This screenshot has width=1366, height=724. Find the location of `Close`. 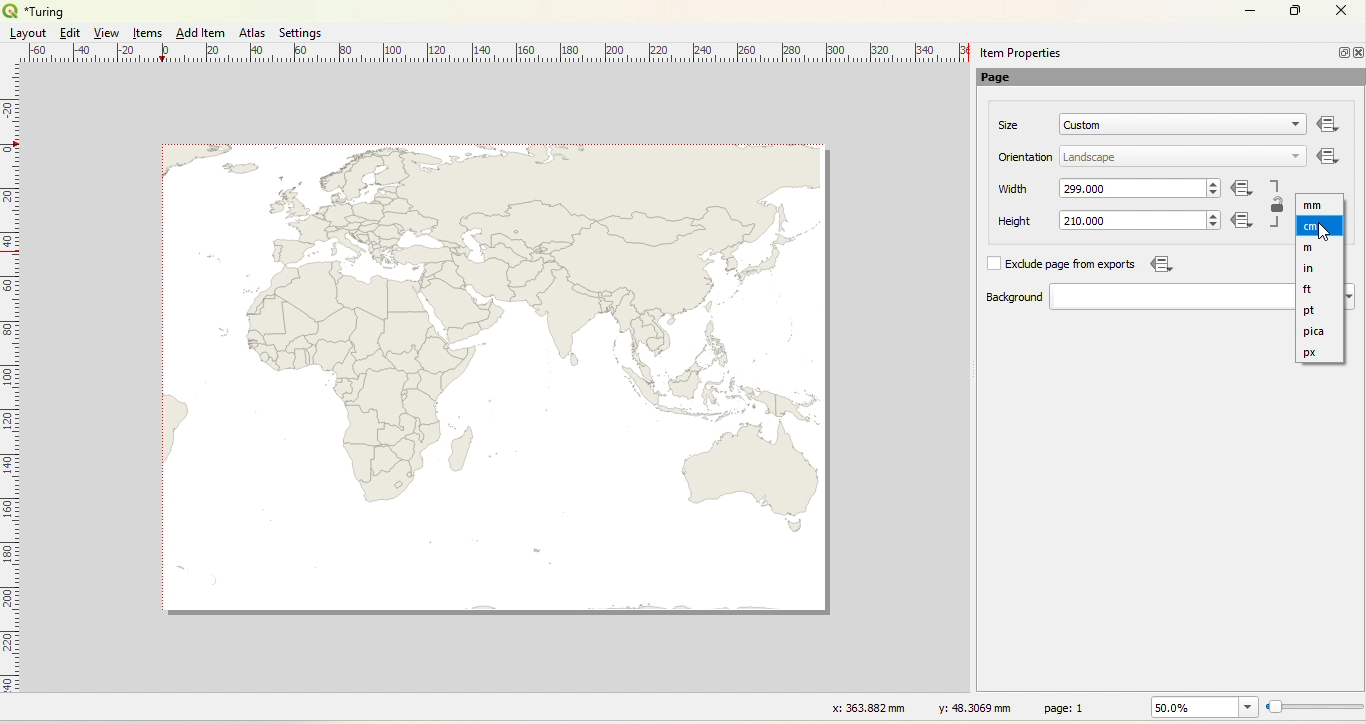

Close is located at coordinates (1358, 51).